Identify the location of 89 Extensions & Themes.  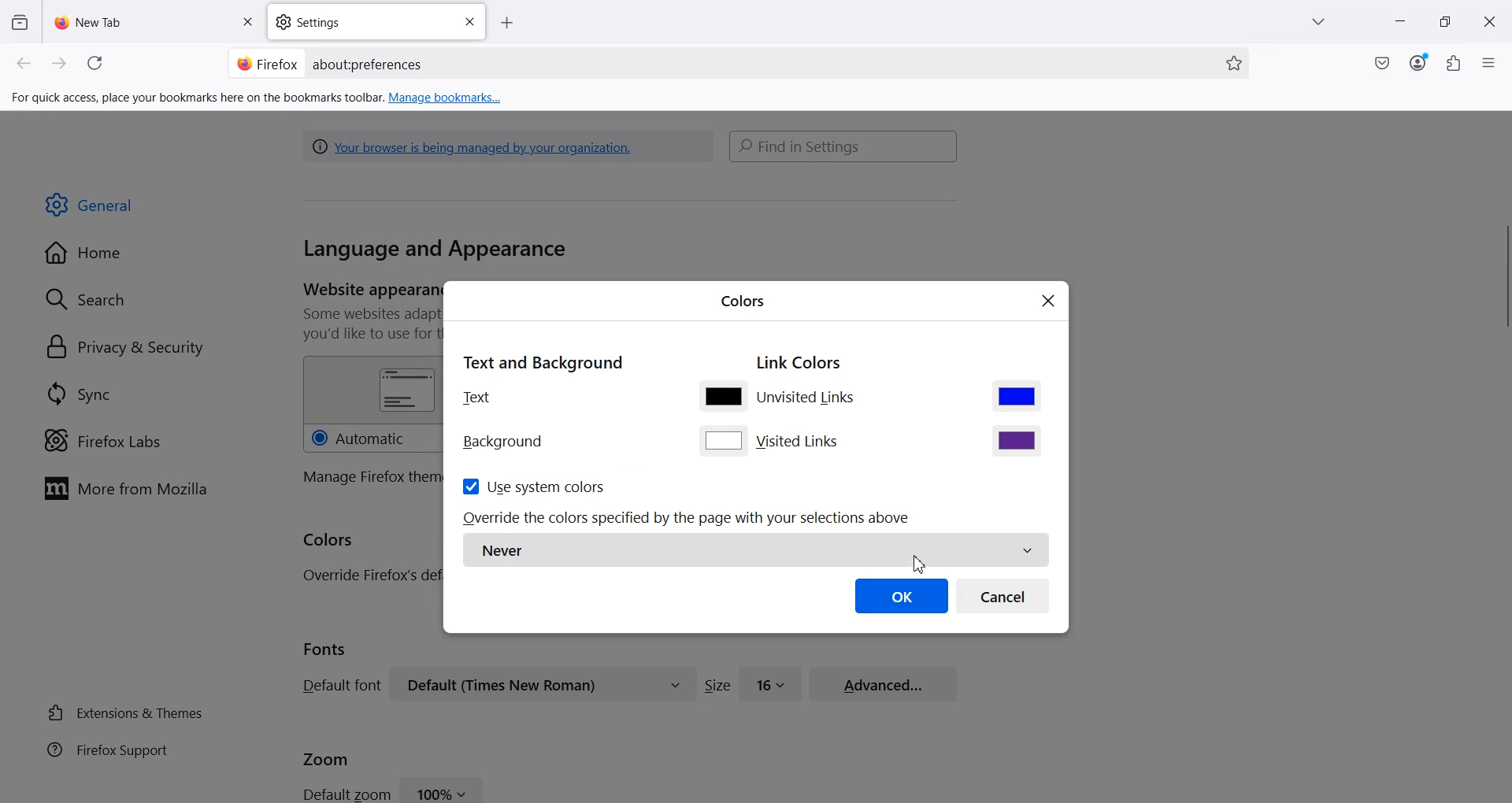
(124, 712).